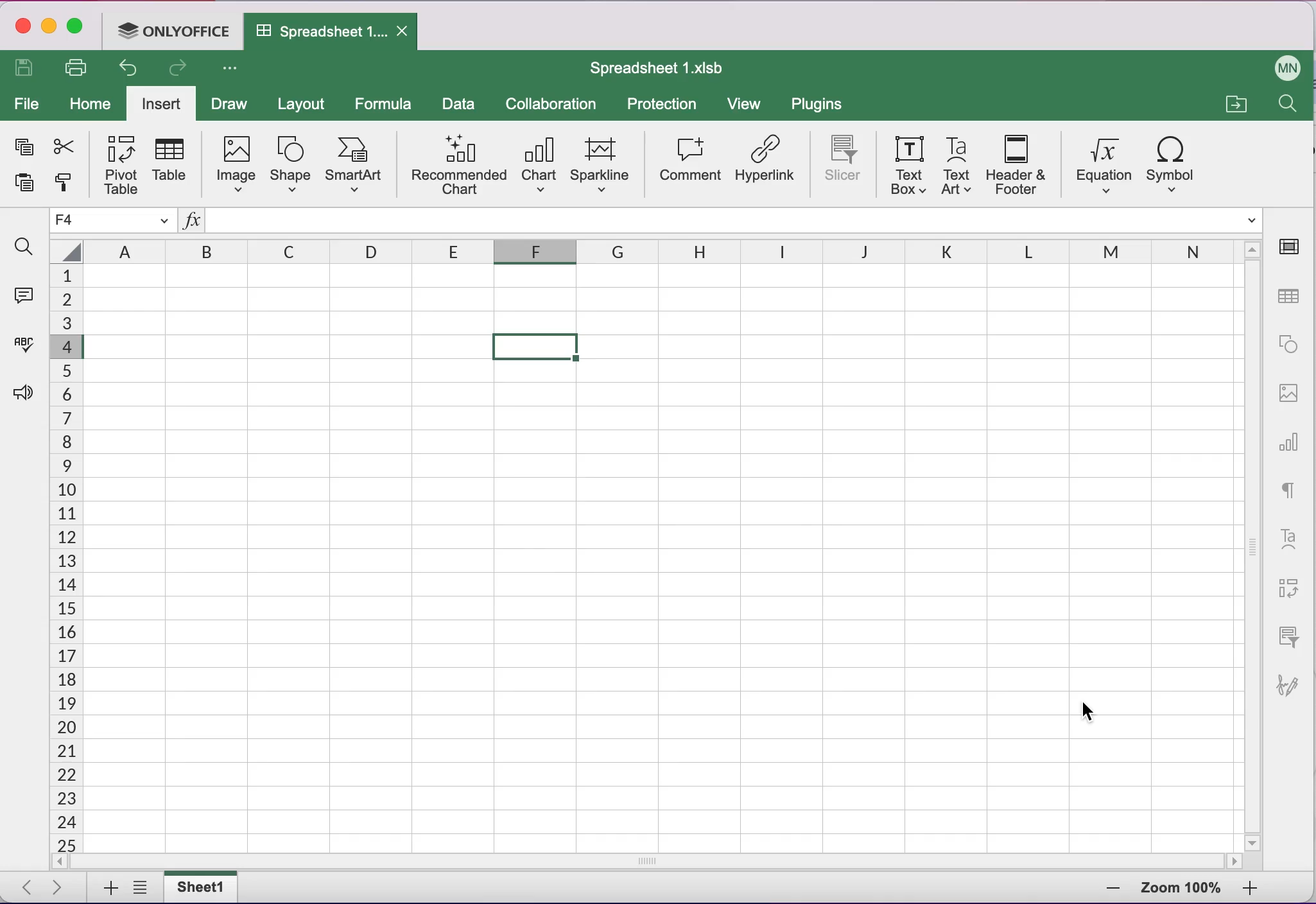 This screenshot has height=904, width=1316. What do you see at coordinates (539, 164) in the screenshot?
I see `chart` at bounding box center [539, 164].